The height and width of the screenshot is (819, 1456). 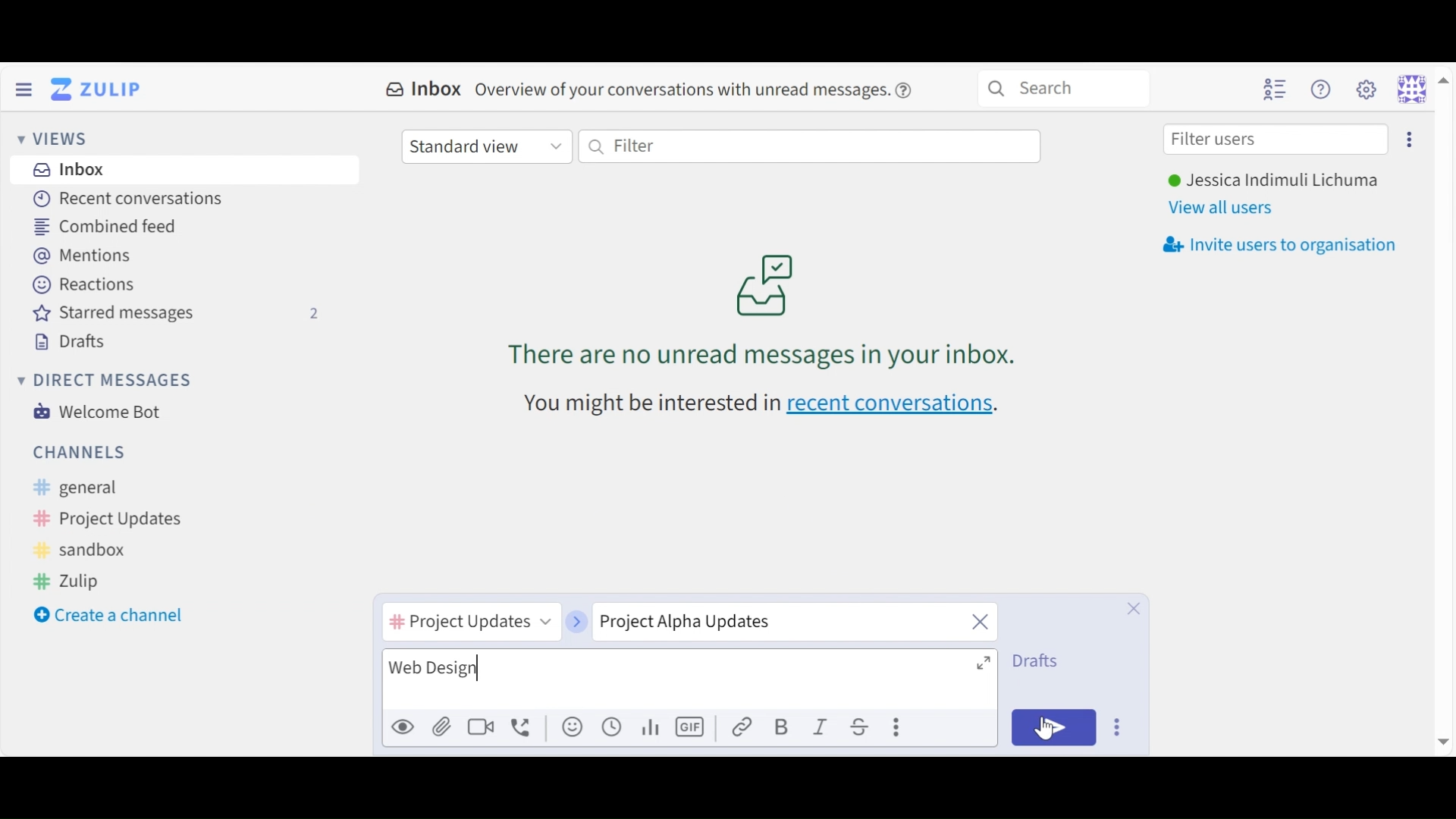 What do you see at coordinates (71, 171) in the screenshot?
I see `Inbox` at bounding box center [71, 171].